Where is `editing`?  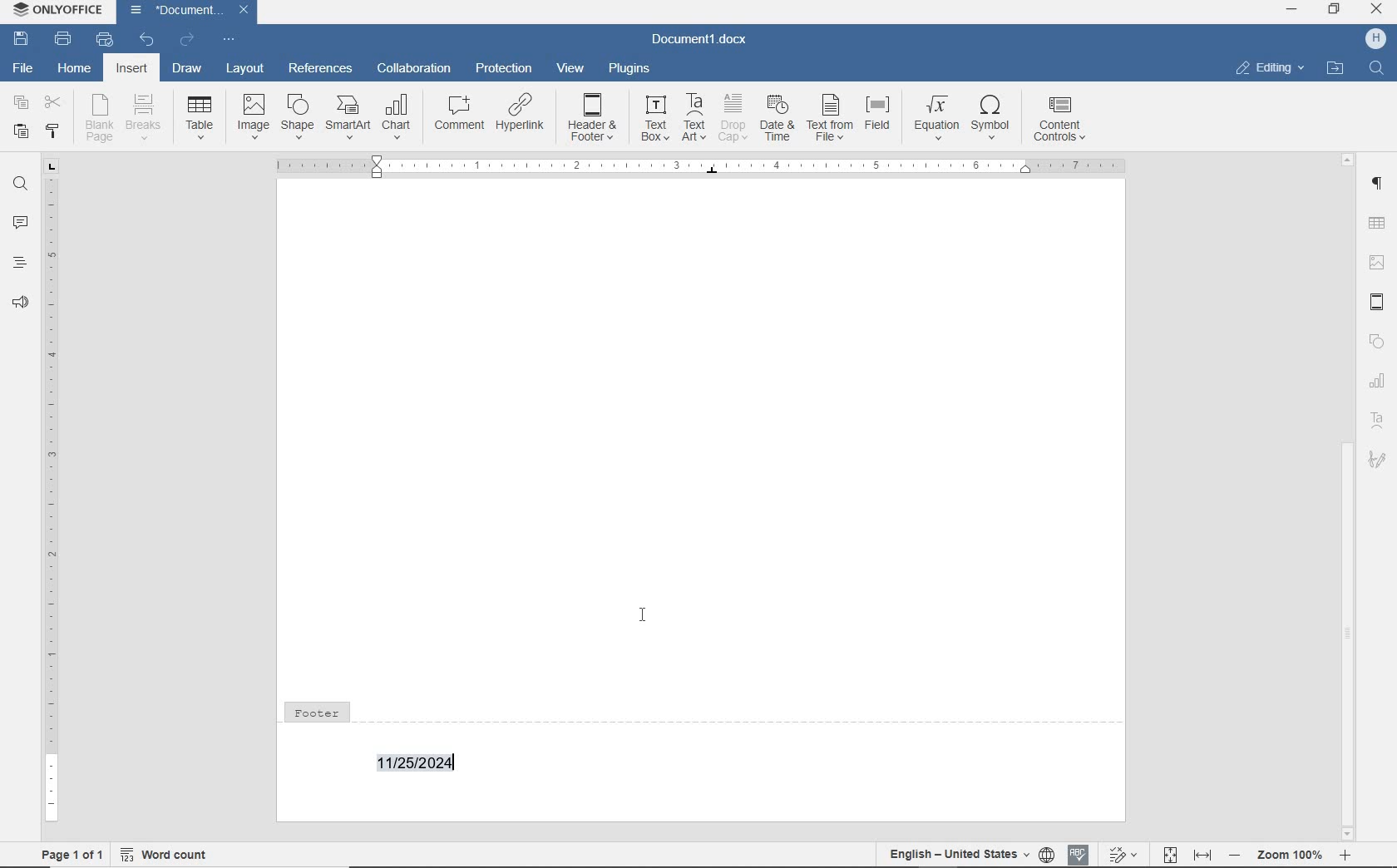 editing is located at coordinates (1271, 69).